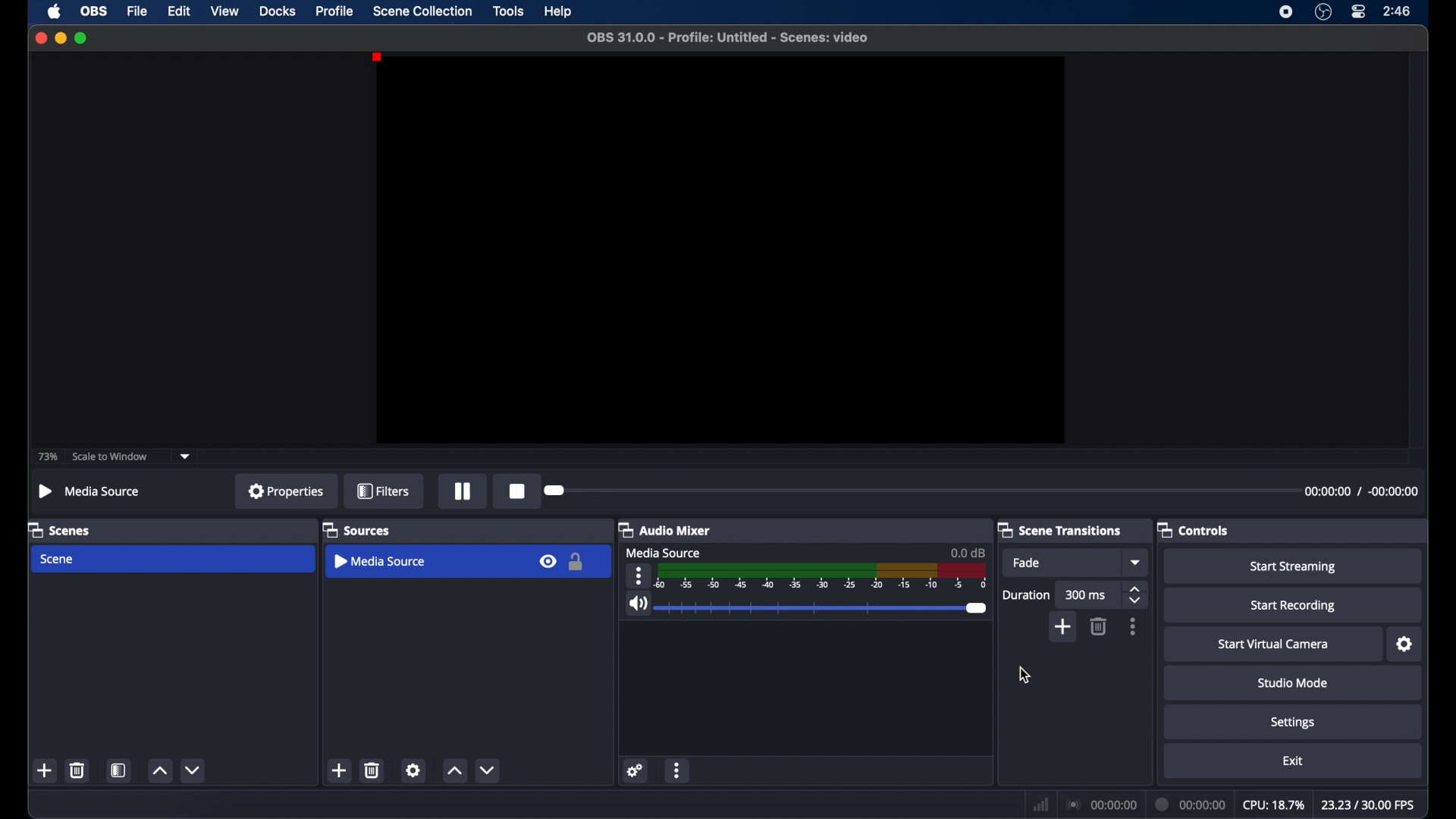  What do you see at coordinates (576, 563) in the screenshot?
I see `lock` at bounding box center [576, 563].